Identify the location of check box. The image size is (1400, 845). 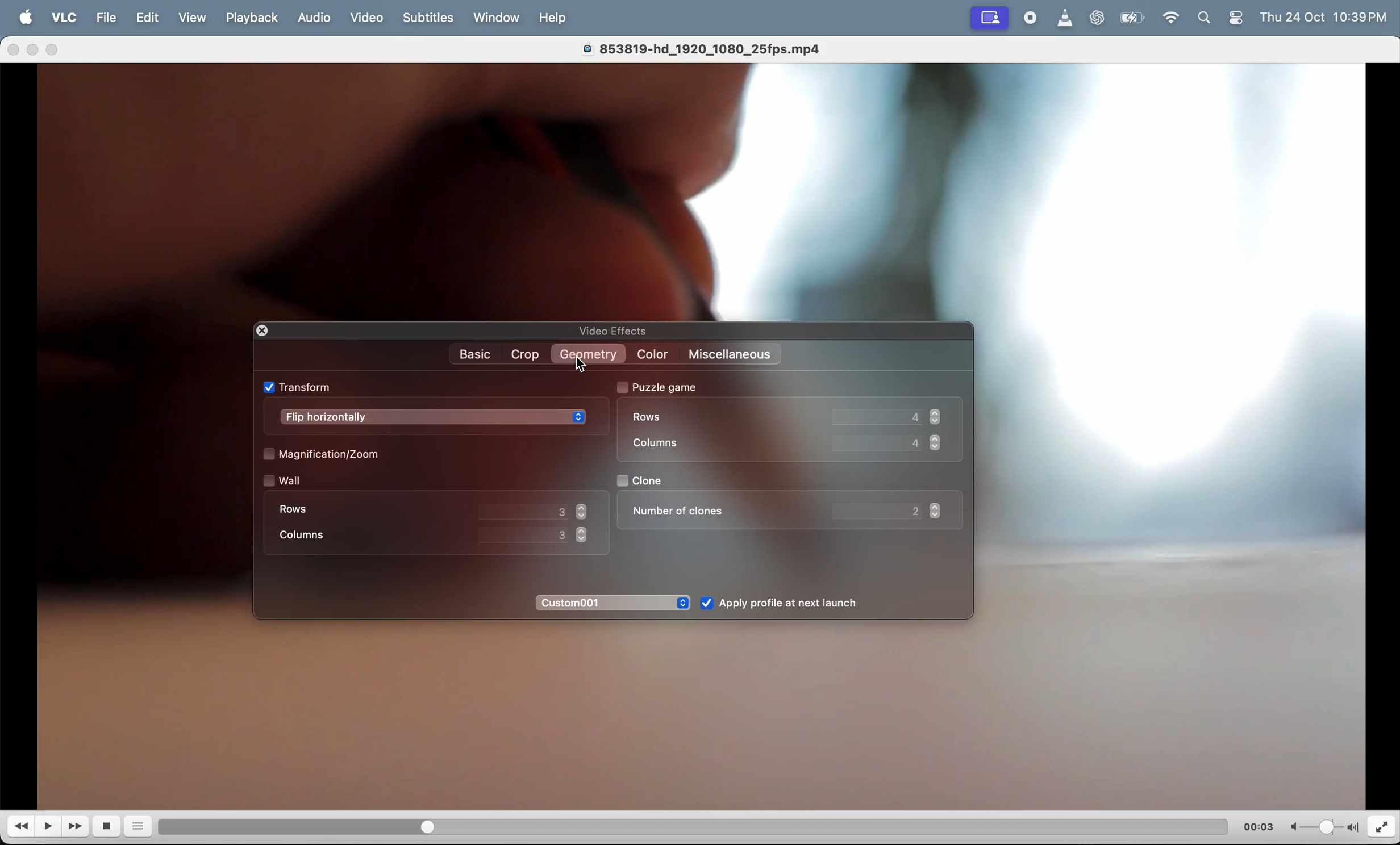
(269, 386).